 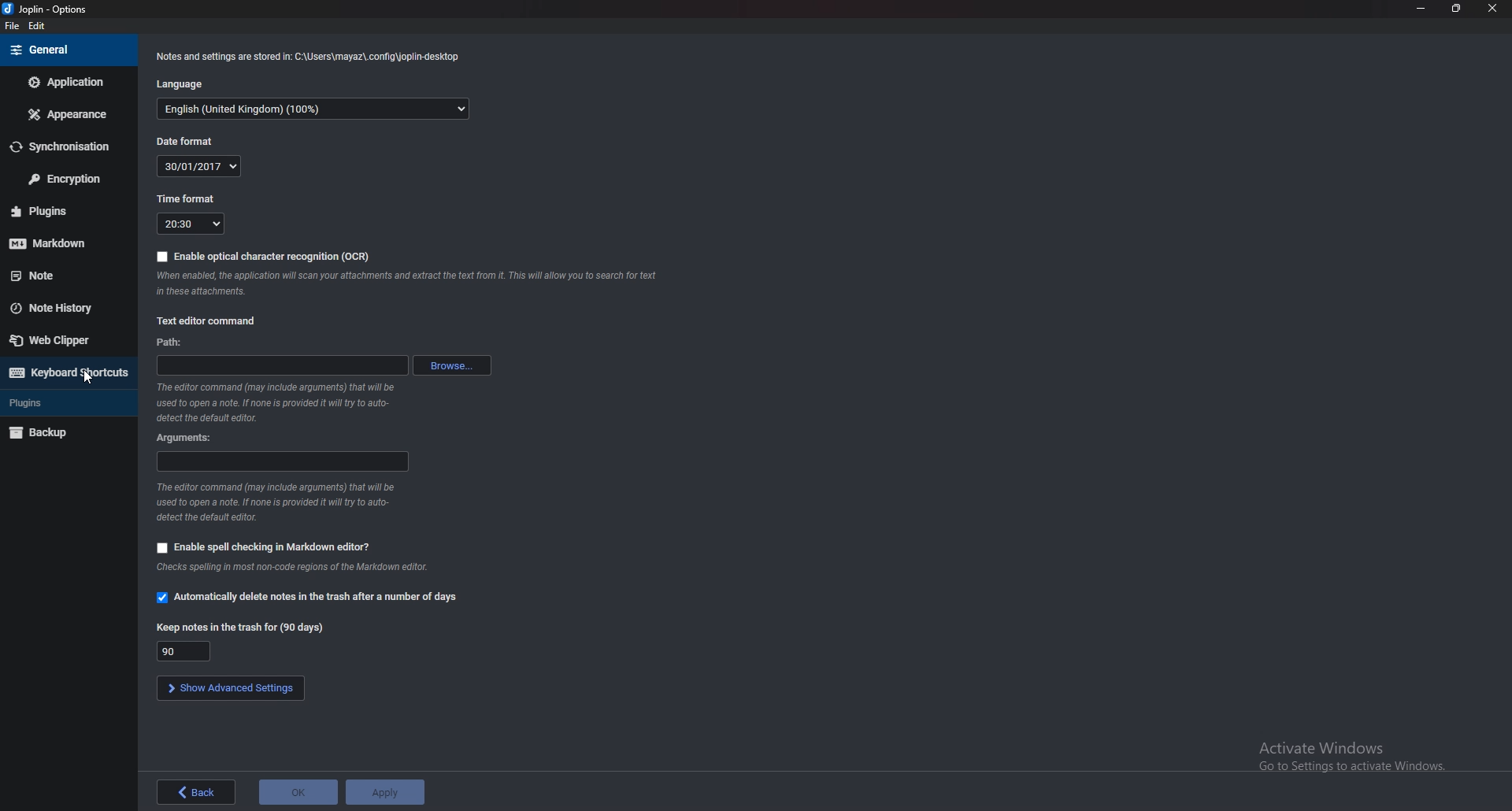 I want to click on Info, so click(x=292, y=569).